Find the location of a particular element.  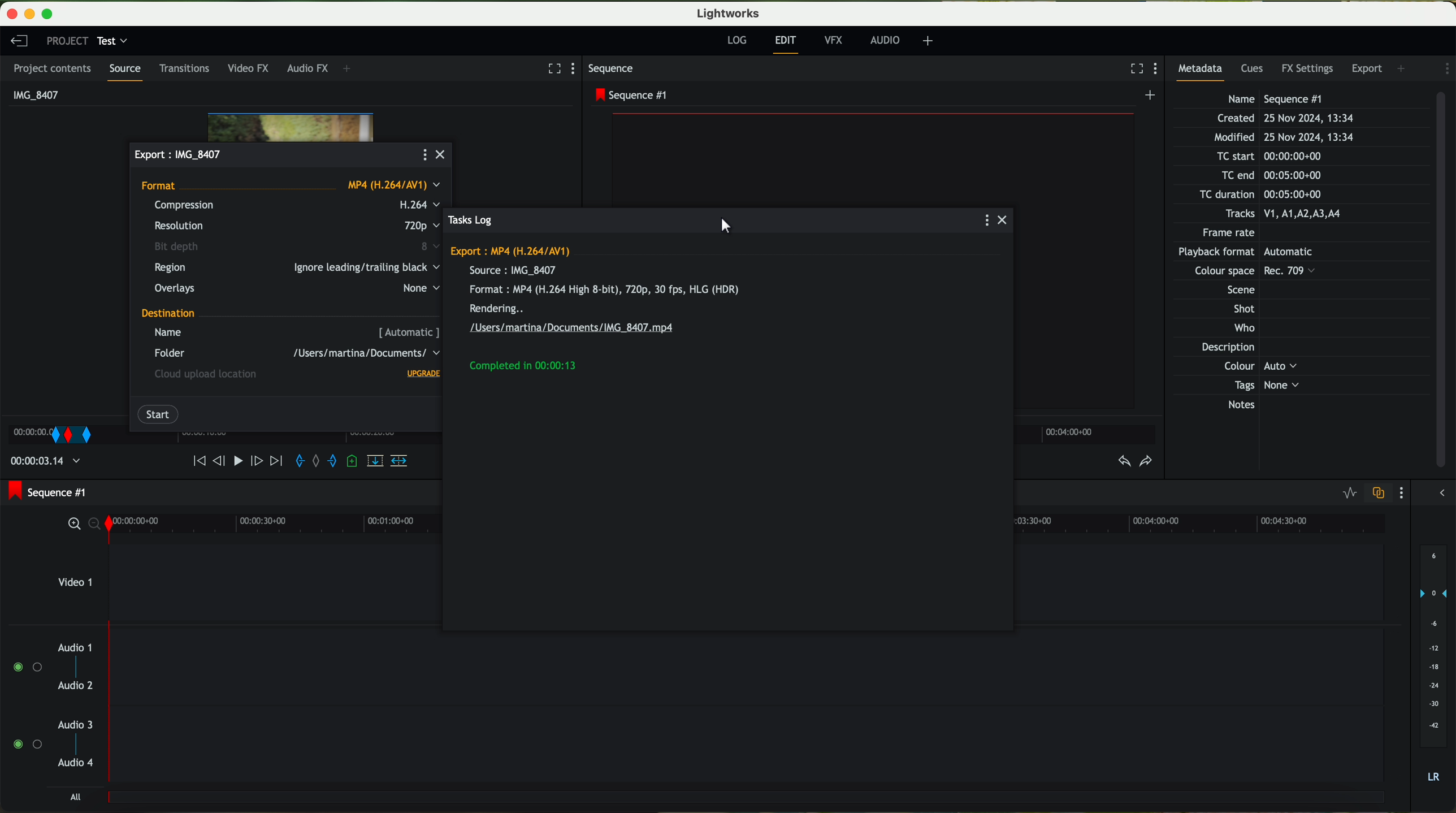

insert into the target sequence is located at coordinates (400, 460).